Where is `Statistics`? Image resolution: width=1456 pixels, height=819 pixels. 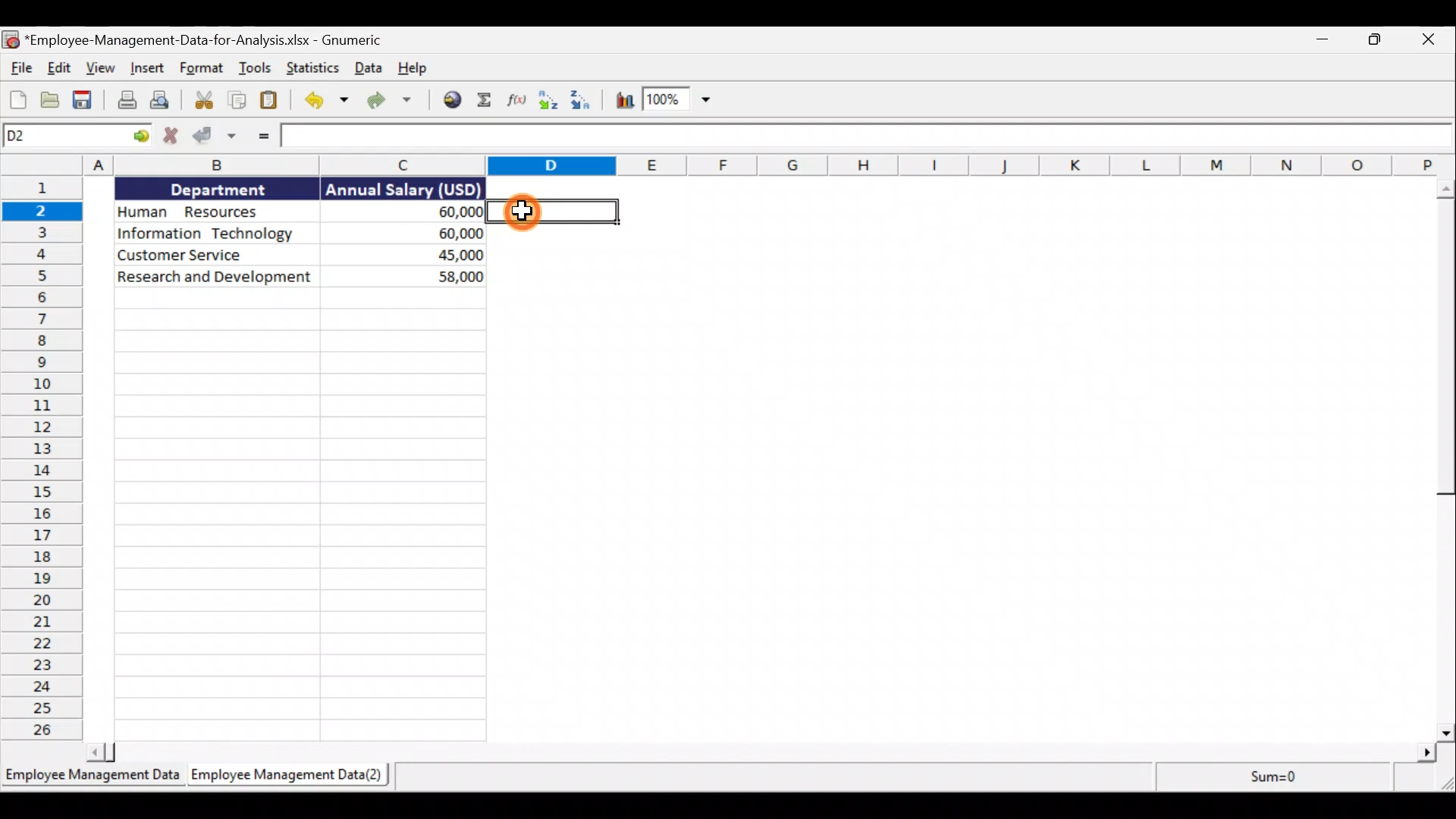 Statistics is located at coordinates (313, 68).